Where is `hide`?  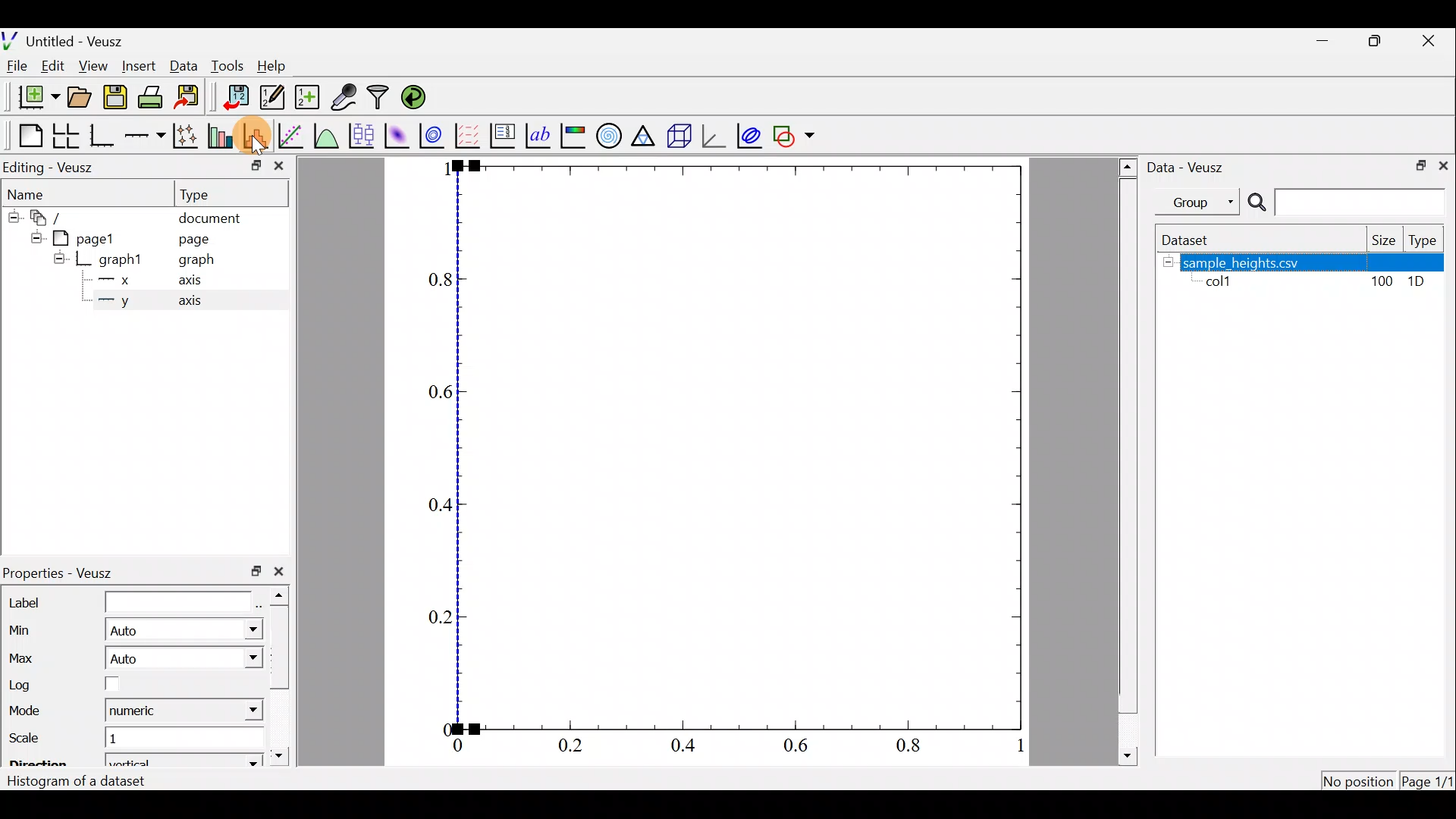 hide is located at coordinates (33, 237).